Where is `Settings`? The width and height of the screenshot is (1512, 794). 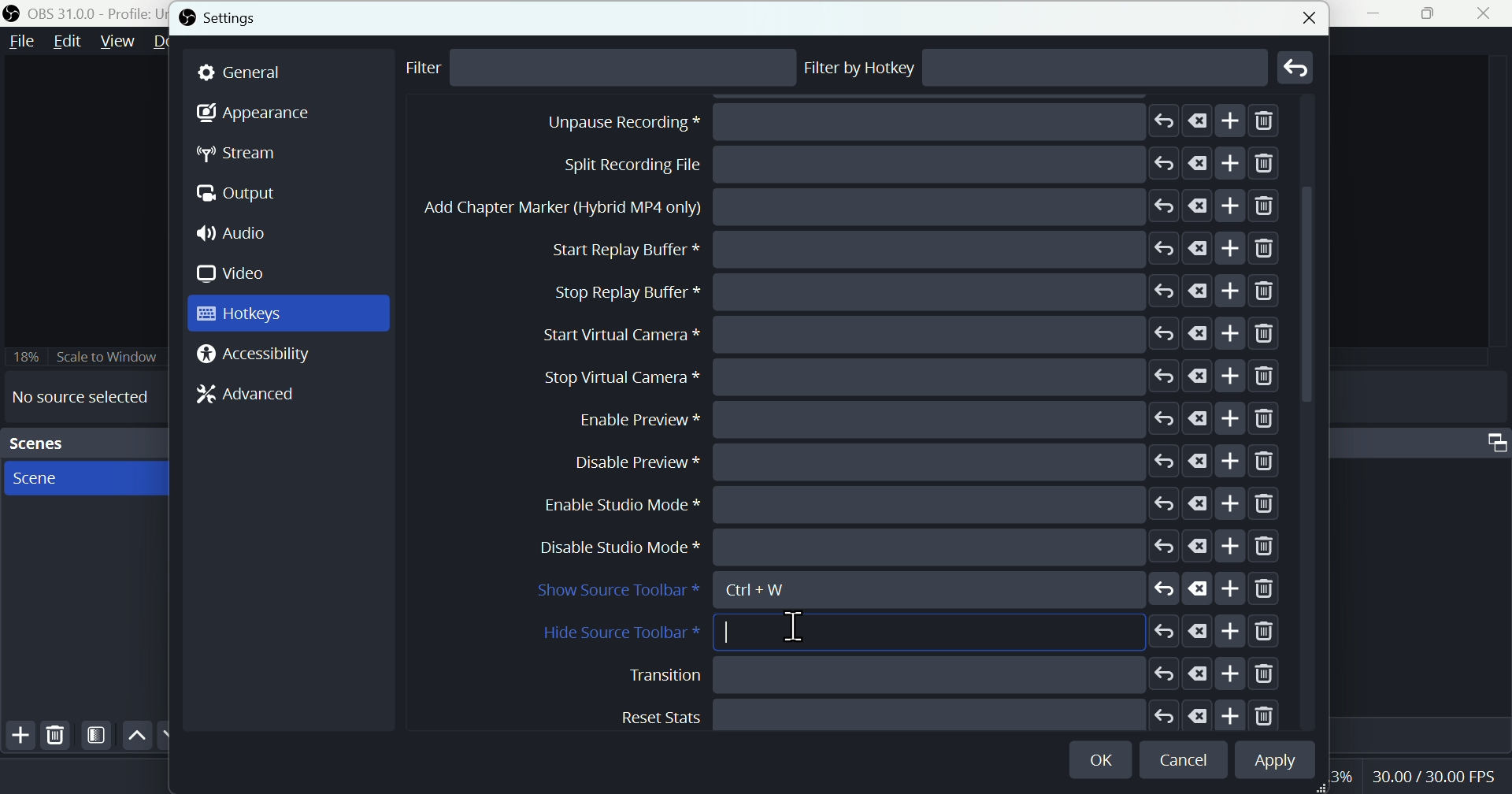 Settings is located at coordinates (225, 18).